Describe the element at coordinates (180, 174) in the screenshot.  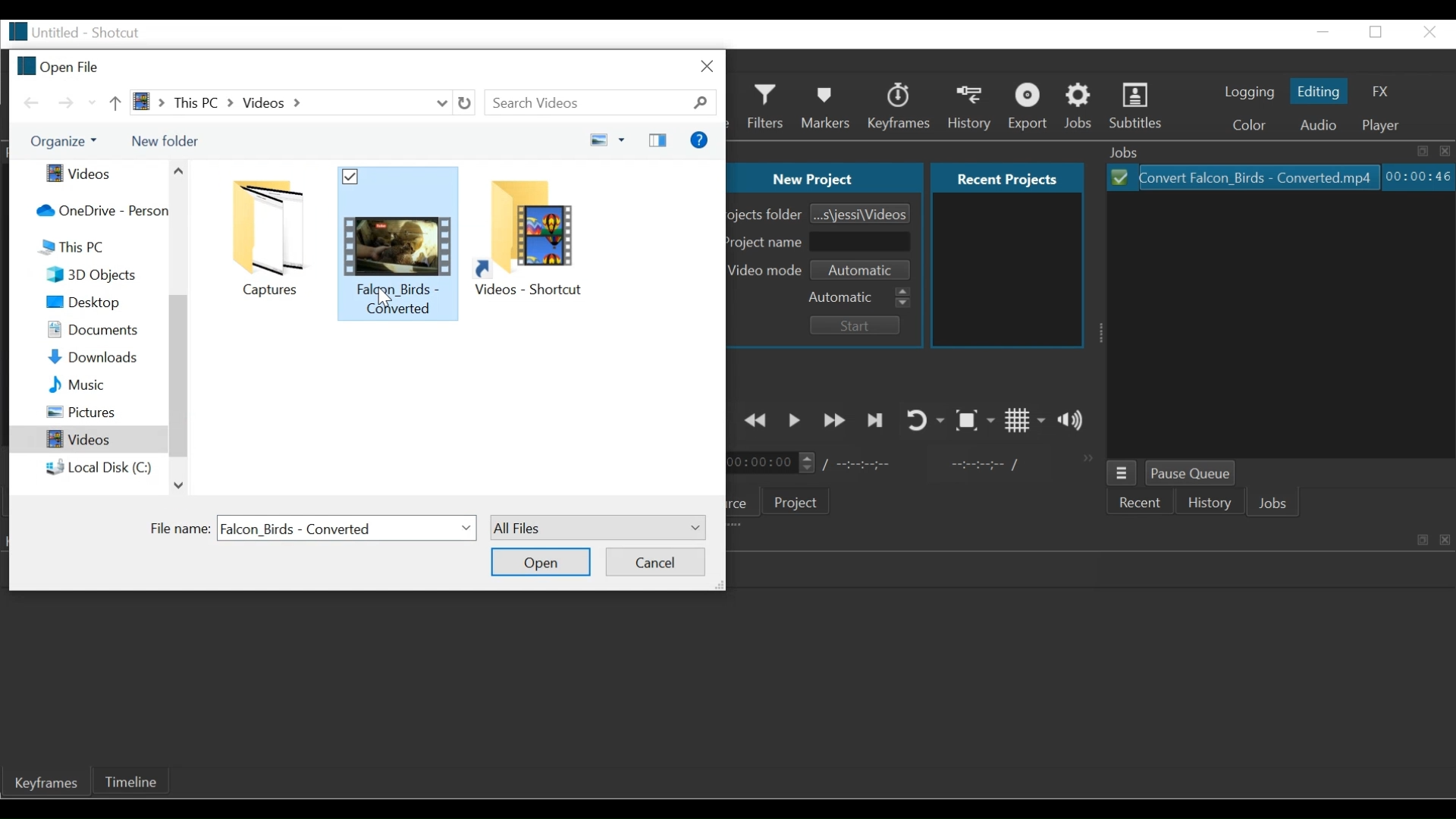
I see `Scroll up` at that location.